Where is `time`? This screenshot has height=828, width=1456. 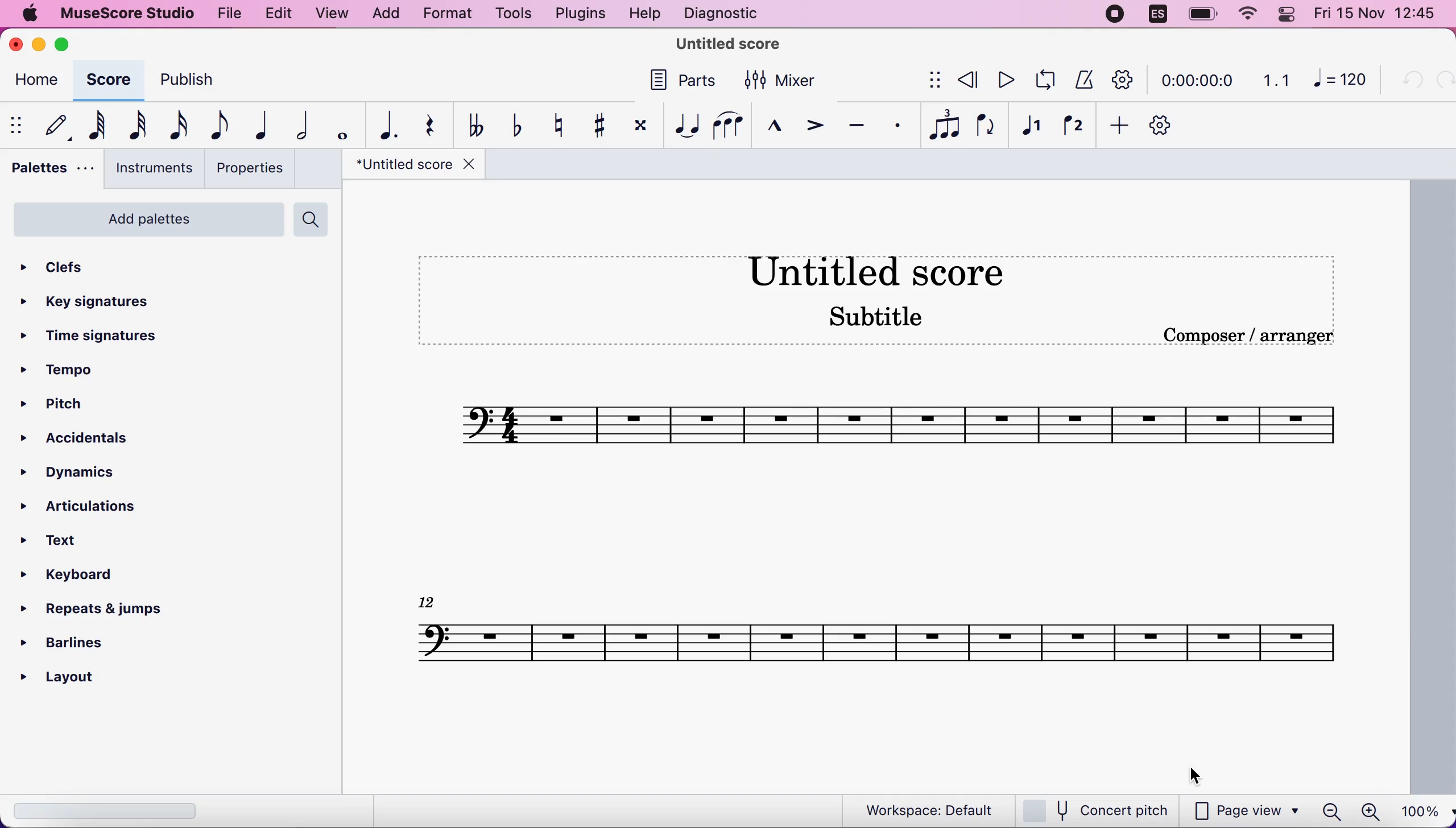
time is located at coordinates (1196, 82).